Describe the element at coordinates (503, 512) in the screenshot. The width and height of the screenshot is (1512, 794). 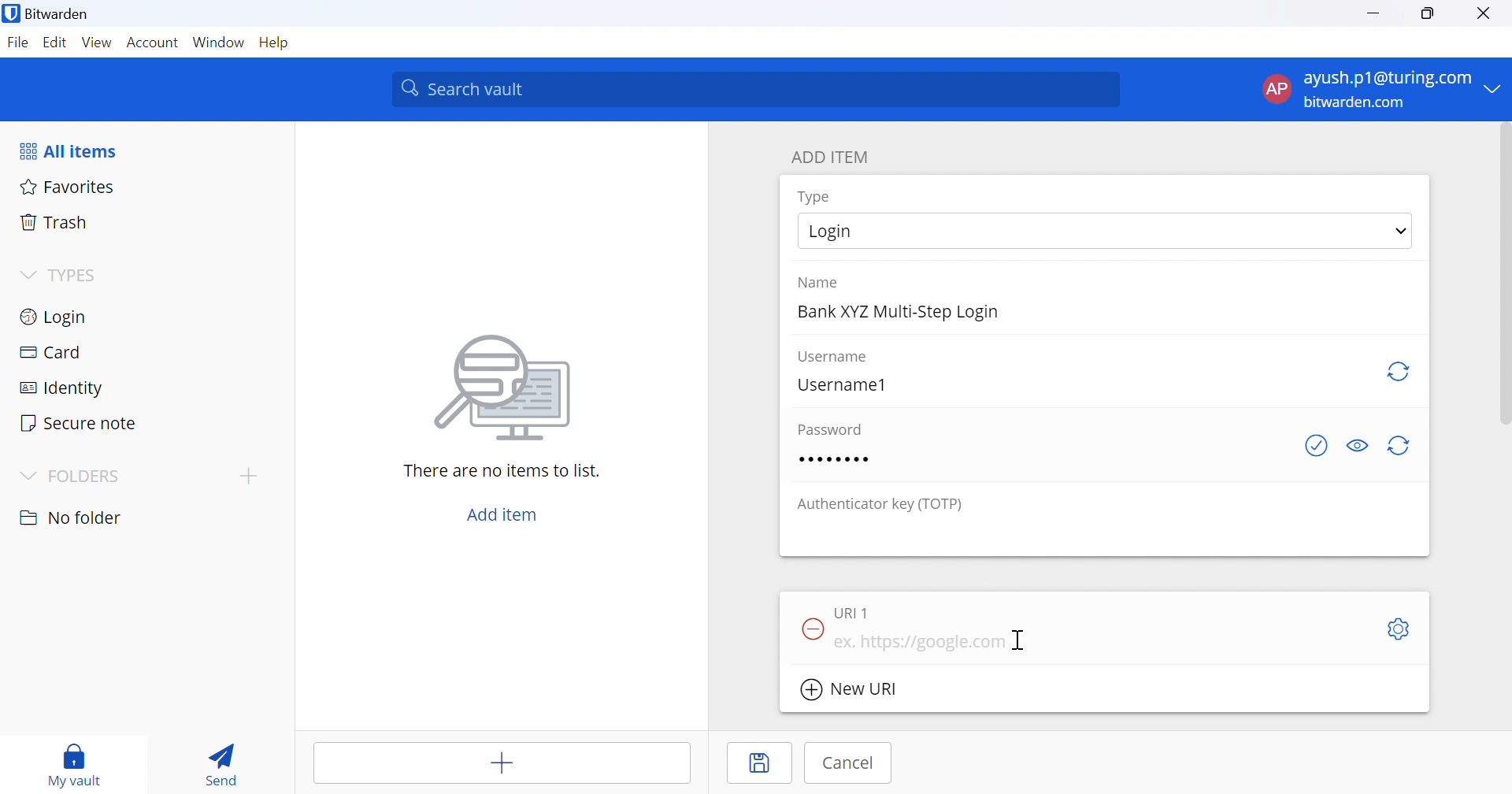
I see `Add item` at that location.